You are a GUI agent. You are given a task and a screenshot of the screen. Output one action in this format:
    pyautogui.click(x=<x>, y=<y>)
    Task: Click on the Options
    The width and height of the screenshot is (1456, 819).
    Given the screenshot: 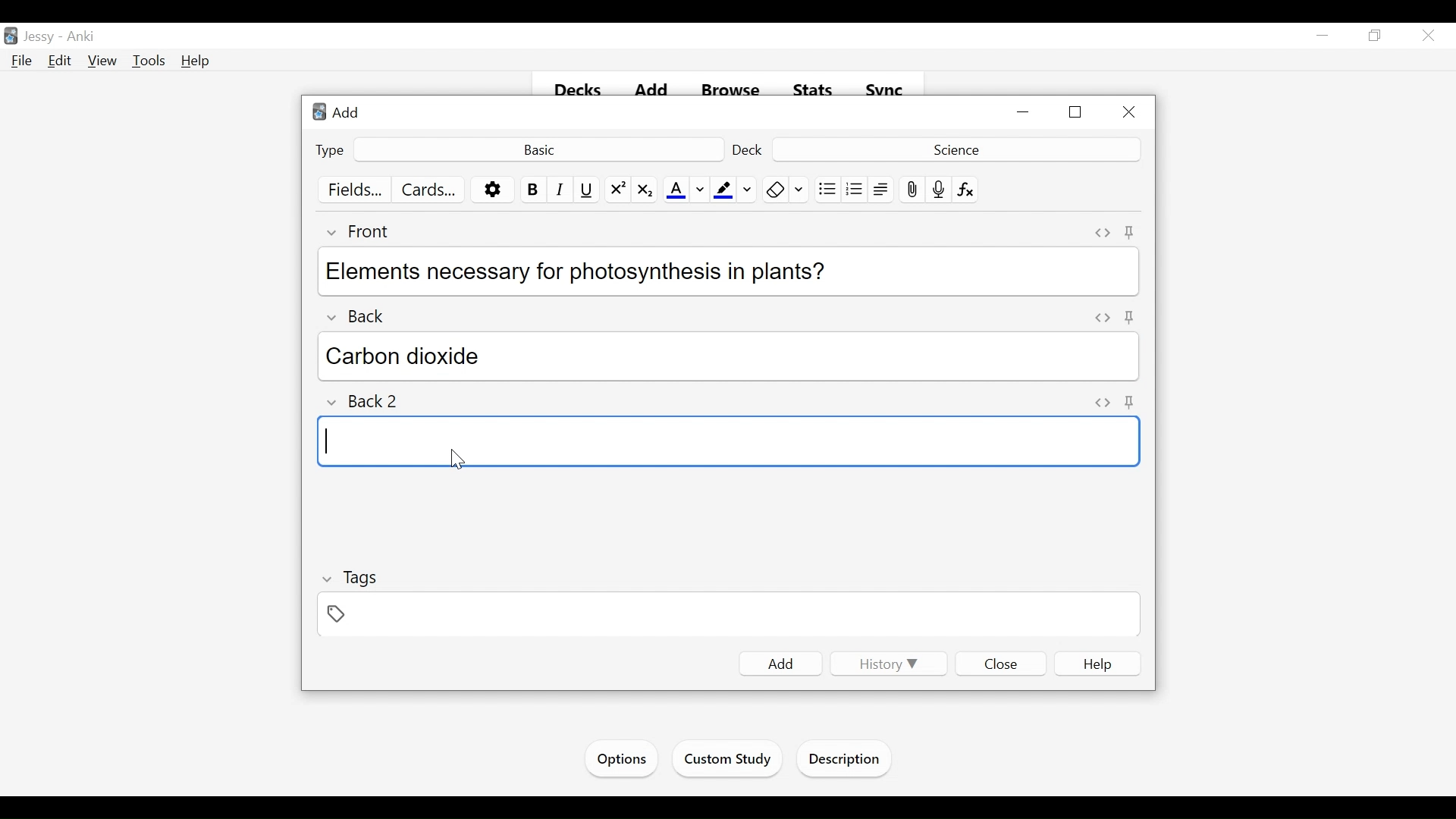 What is the action you would take?
    pyautogui.click(x=493, y=190)
    